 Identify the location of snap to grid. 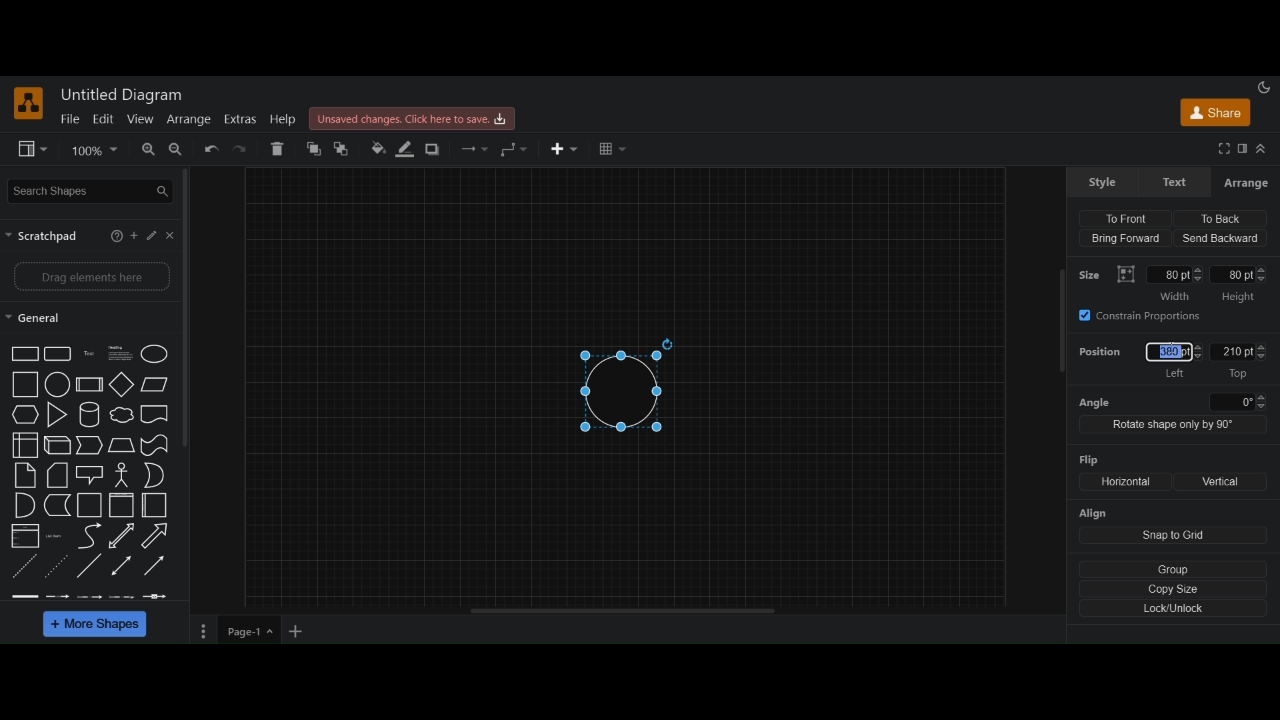
(1174, 536).